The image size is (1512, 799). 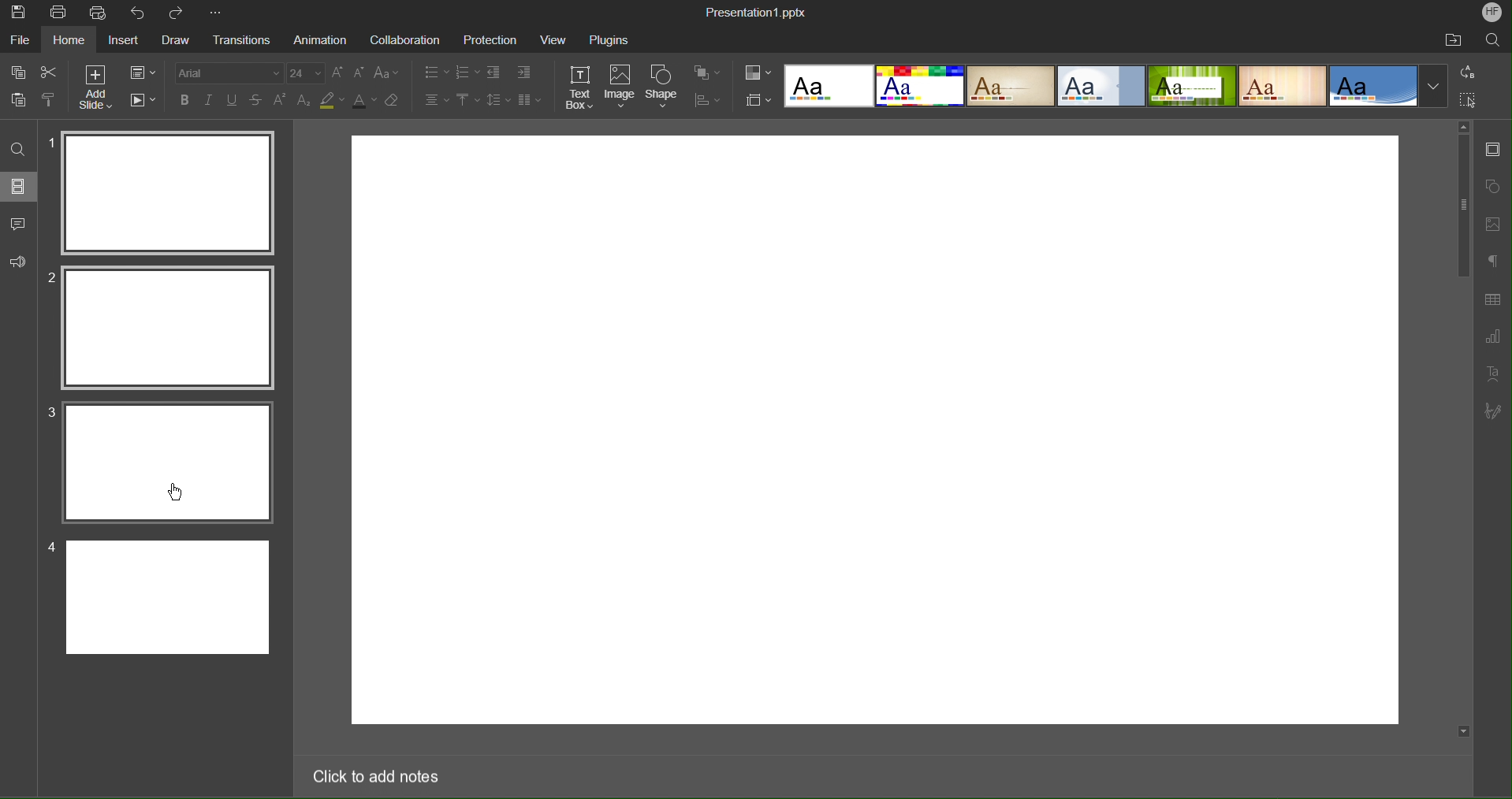 What do you see at coordinates (365, 102) in the screenshot?
I see `font color` at bounding box center [365, 102].